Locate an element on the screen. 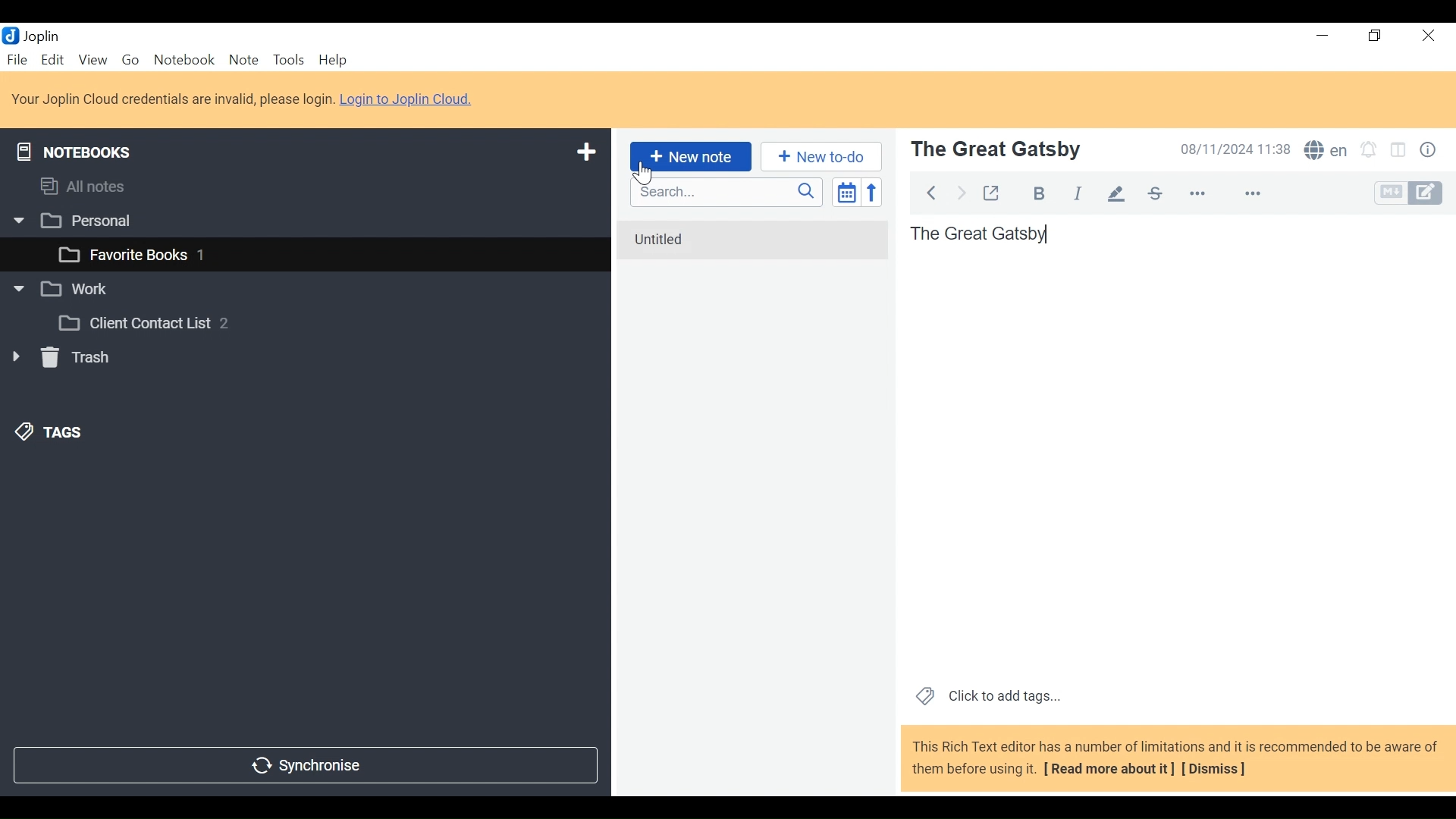  Add new notebook is located at coordinates (586, 154).